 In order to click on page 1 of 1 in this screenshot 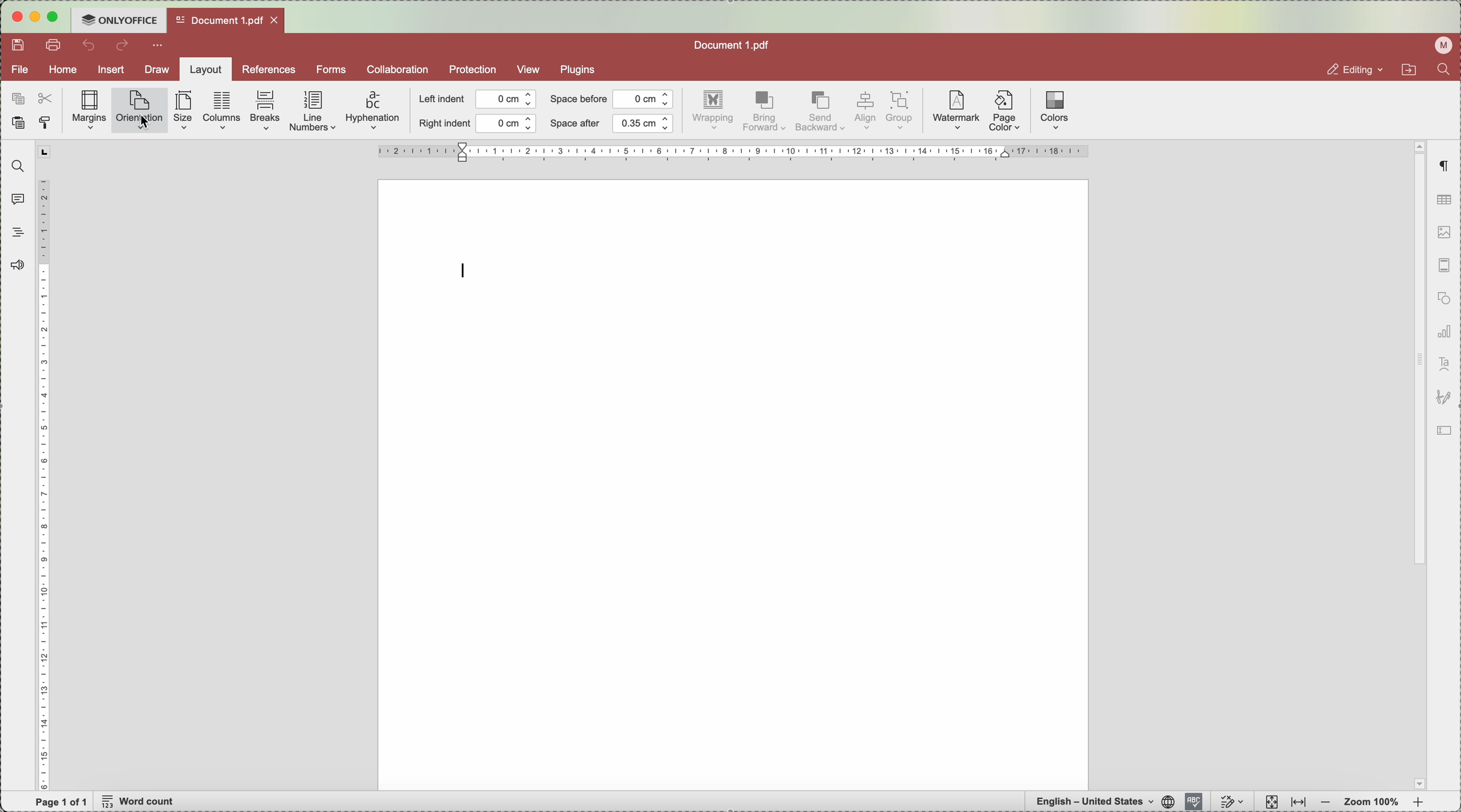, I will do `click(62, 802)`.